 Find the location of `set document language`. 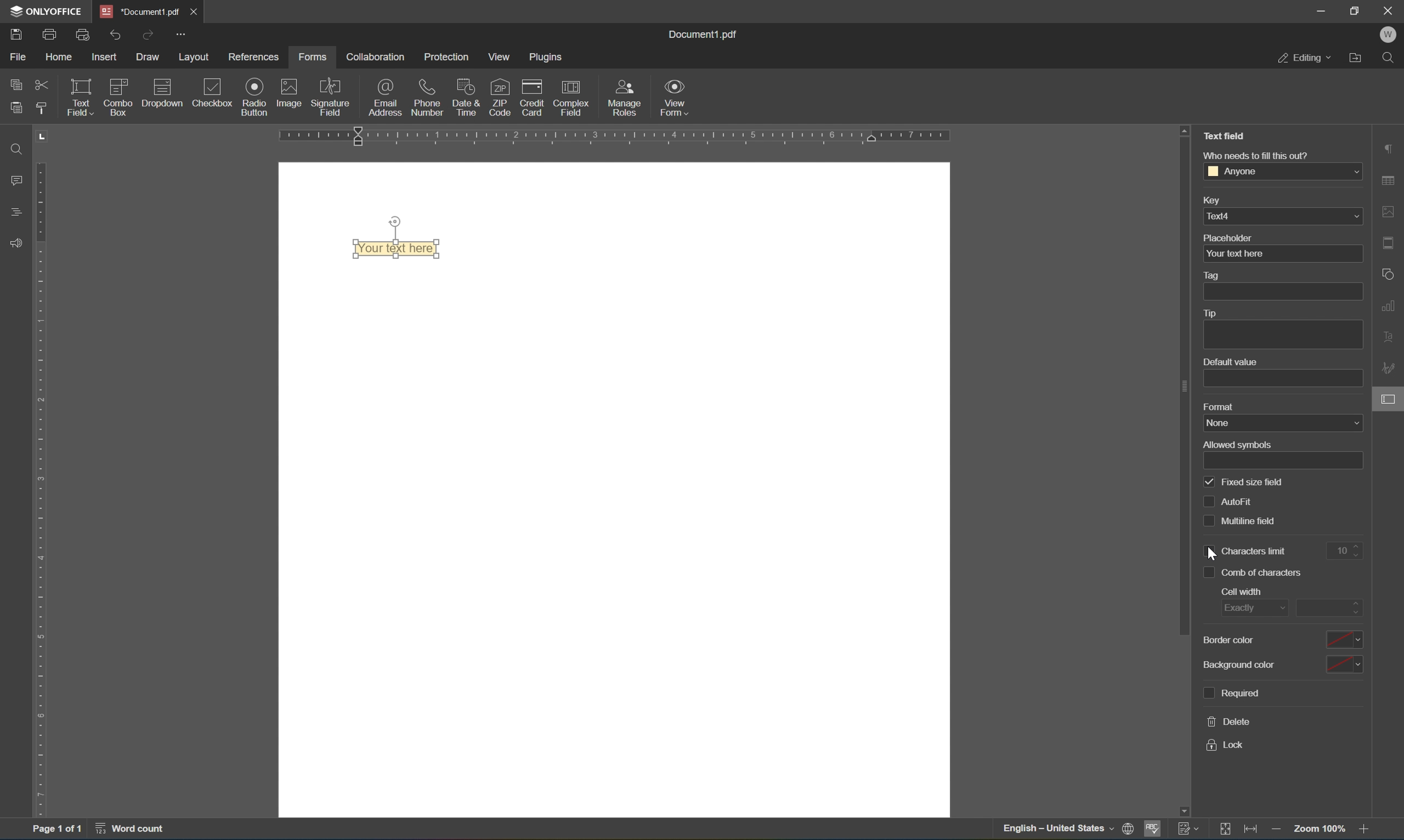

set document language is located at coordinates (1126, 830).